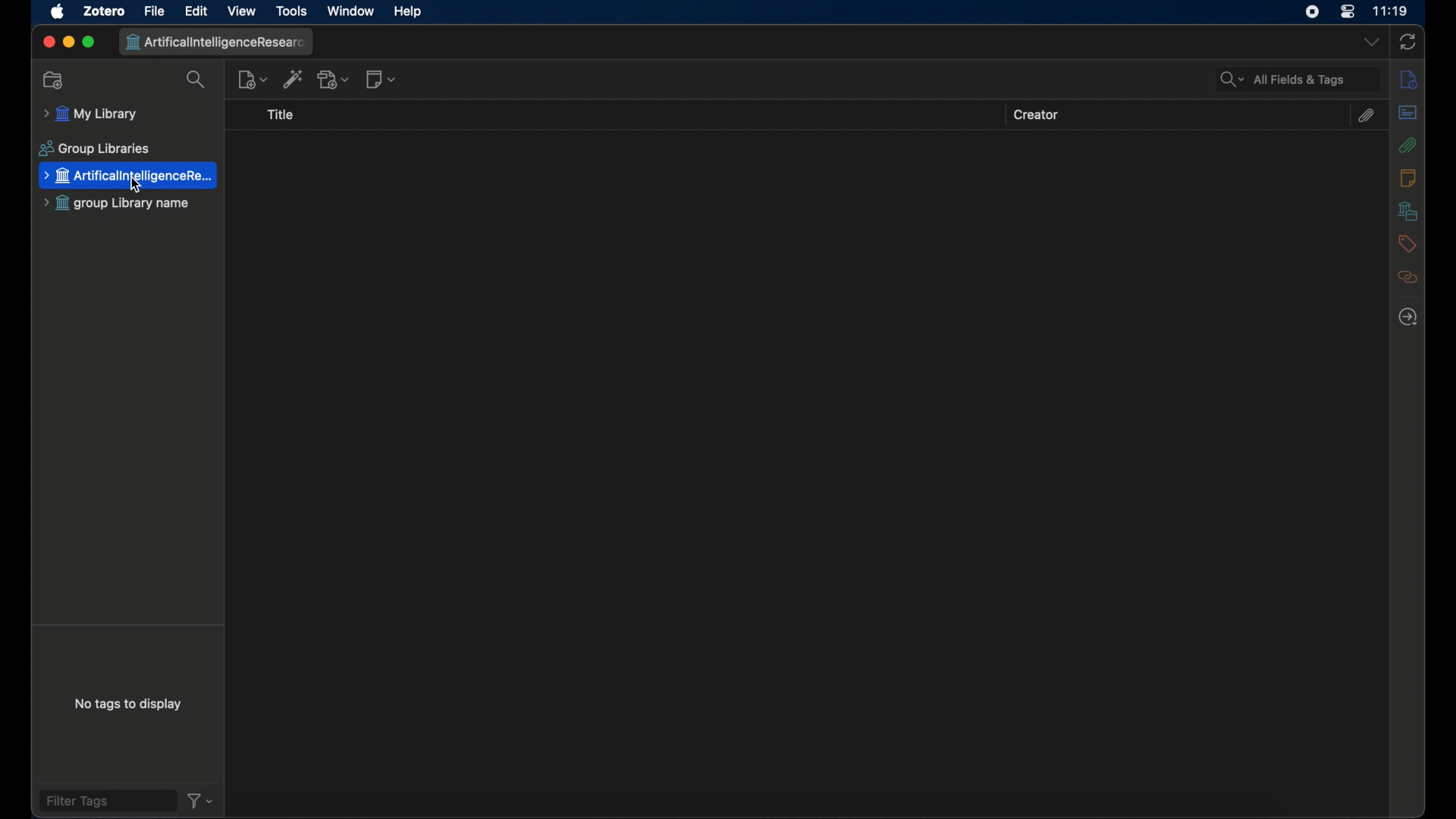 This screenshot has width=1456, height=819. What do you see at coordinates (1370, 42) in the screenshot?
I see `dropdown` at bounding box center [1370, 42].